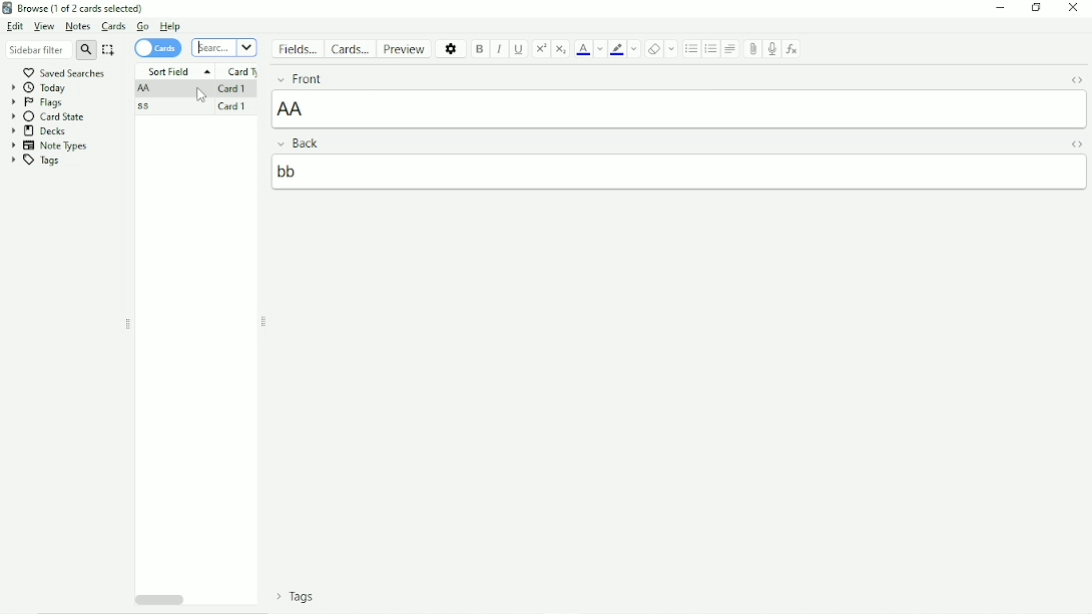 This screenshot has width=1092, height=614. Describe the element at coordinates (143, 27) in the screenshot. I see `Go` at that location.